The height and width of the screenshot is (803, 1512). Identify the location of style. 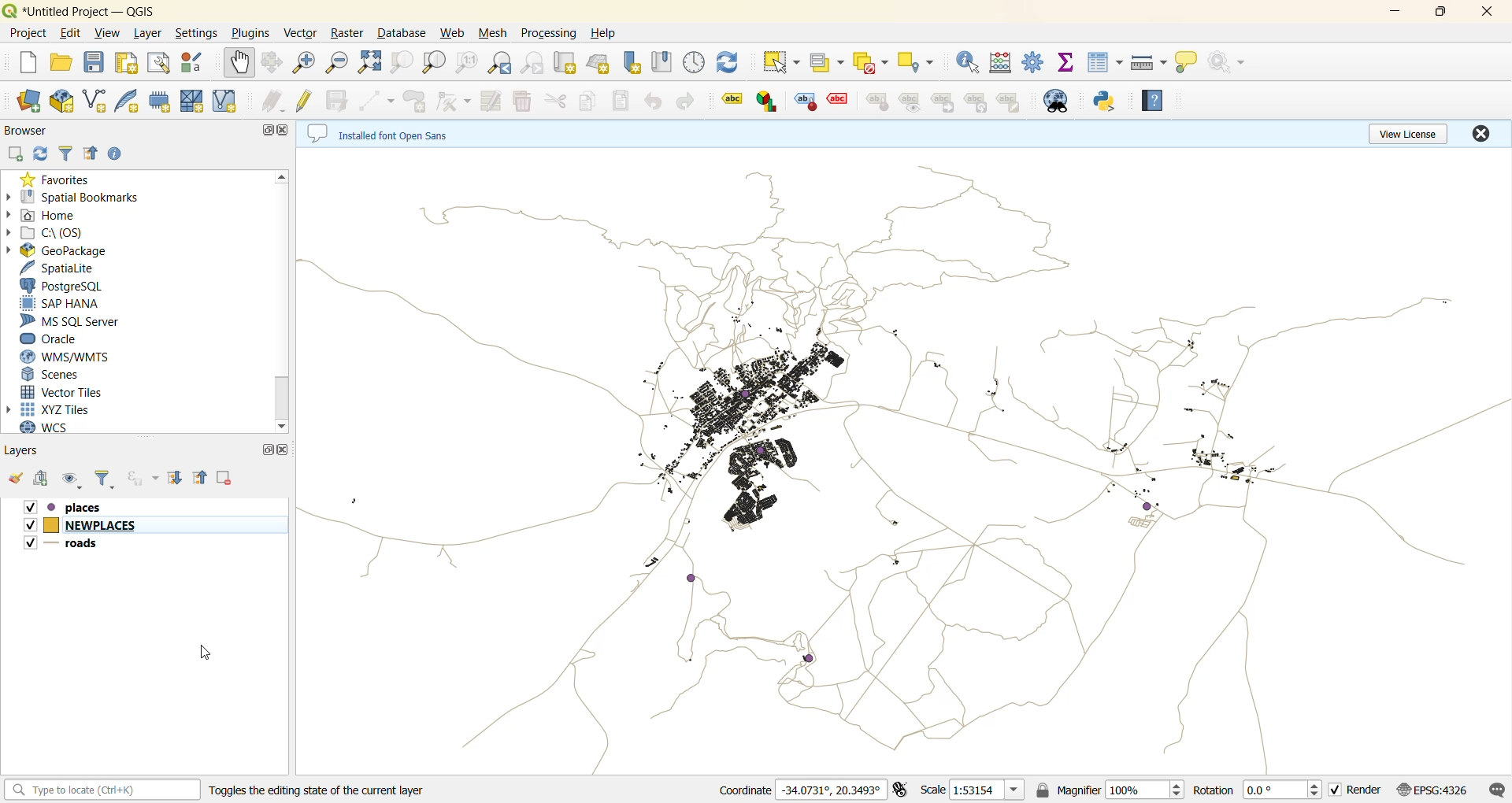
(876, 101).